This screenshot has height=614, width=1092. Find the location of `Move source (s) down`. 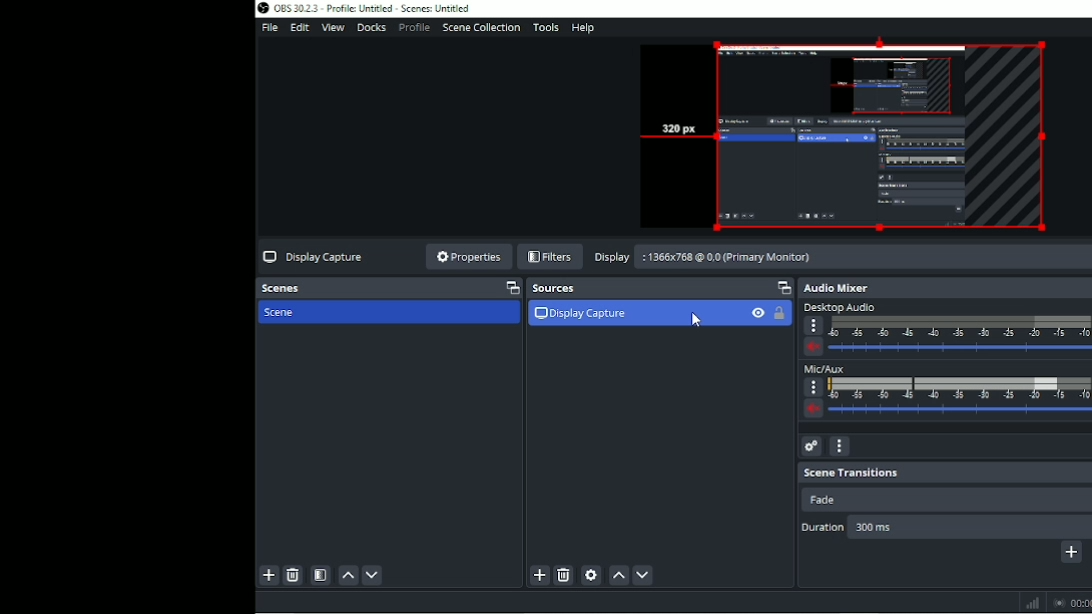

Move source (s) down is located at coordinates (644, 575).